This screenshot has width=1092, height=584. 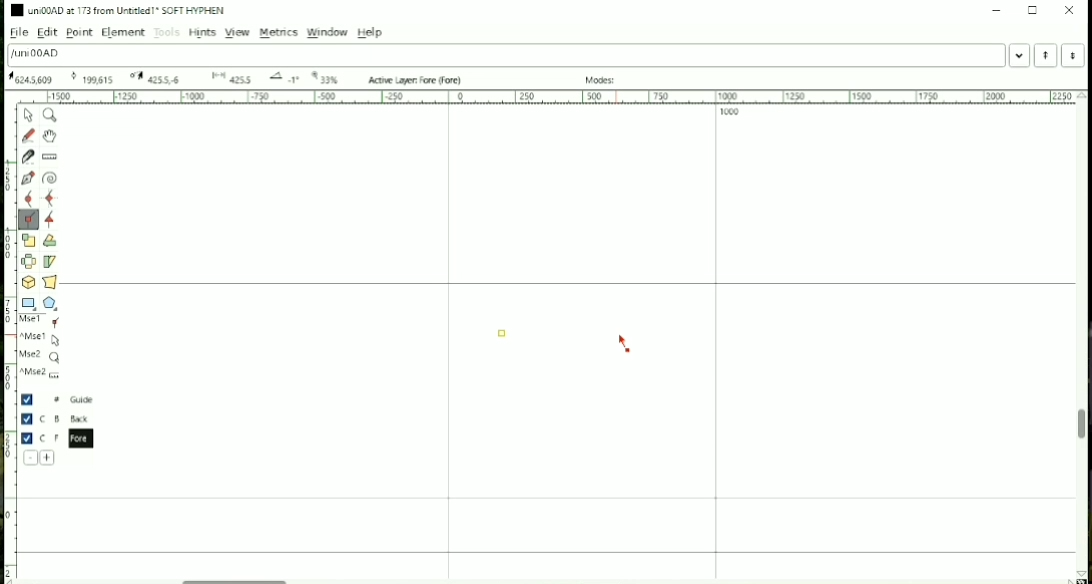 What do you see at coordinates (30, 115) in the screenshot?
I see `Pointer` at bounding box center [30, 115].